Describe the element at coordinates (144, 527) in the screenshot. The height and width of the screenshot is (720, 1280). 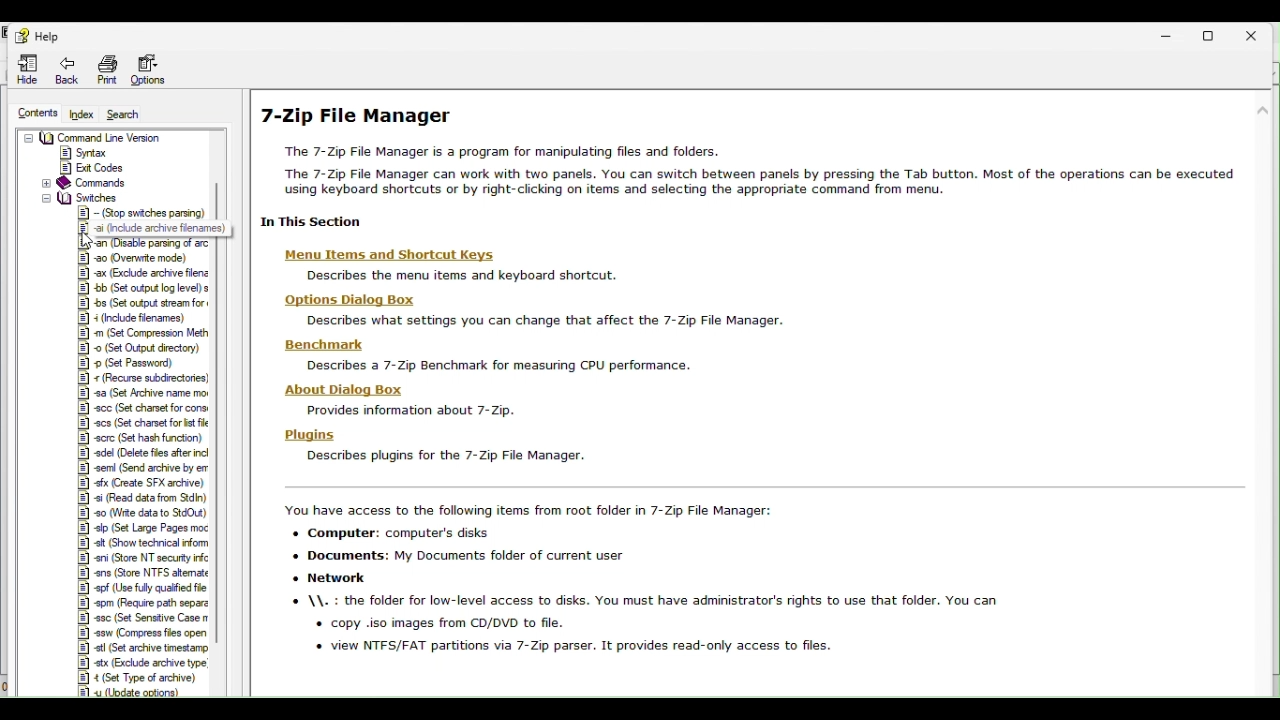
I see `set large pages` at that location.